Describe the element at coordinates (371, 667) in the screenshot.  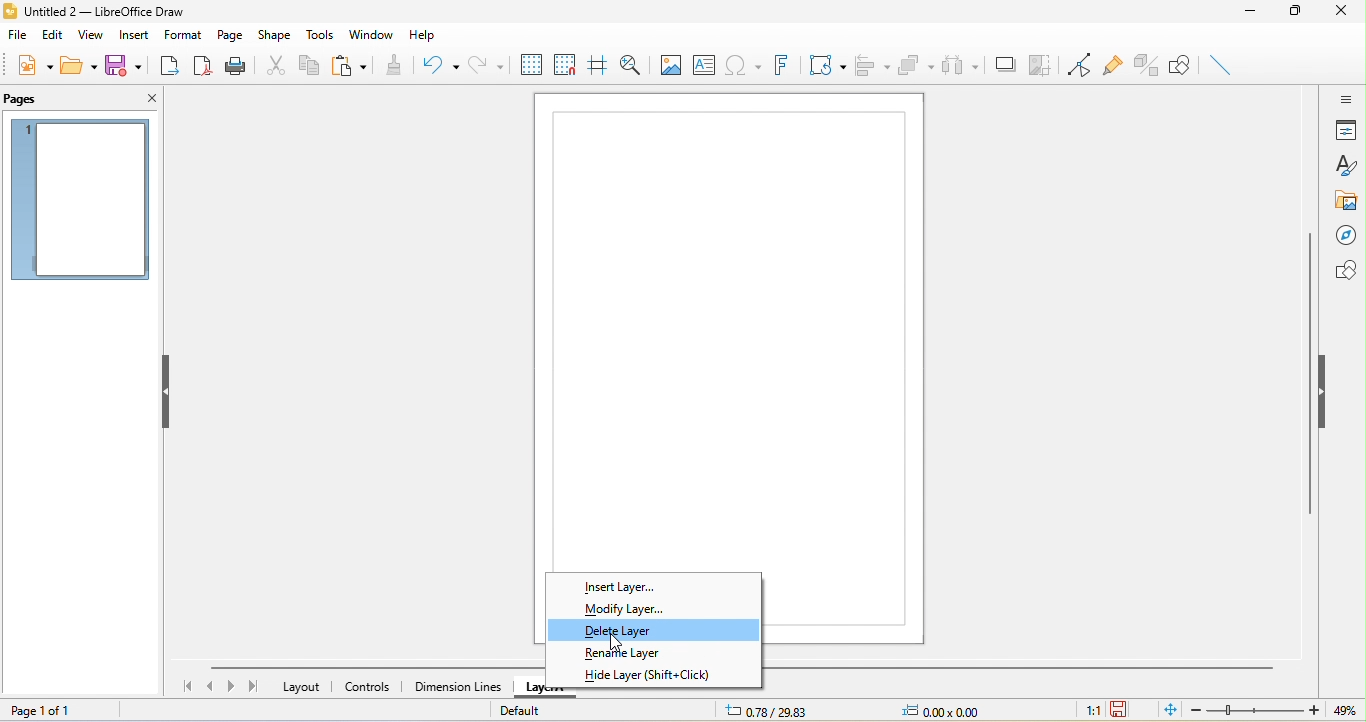
I see `horizontal scroll bar` at that location.